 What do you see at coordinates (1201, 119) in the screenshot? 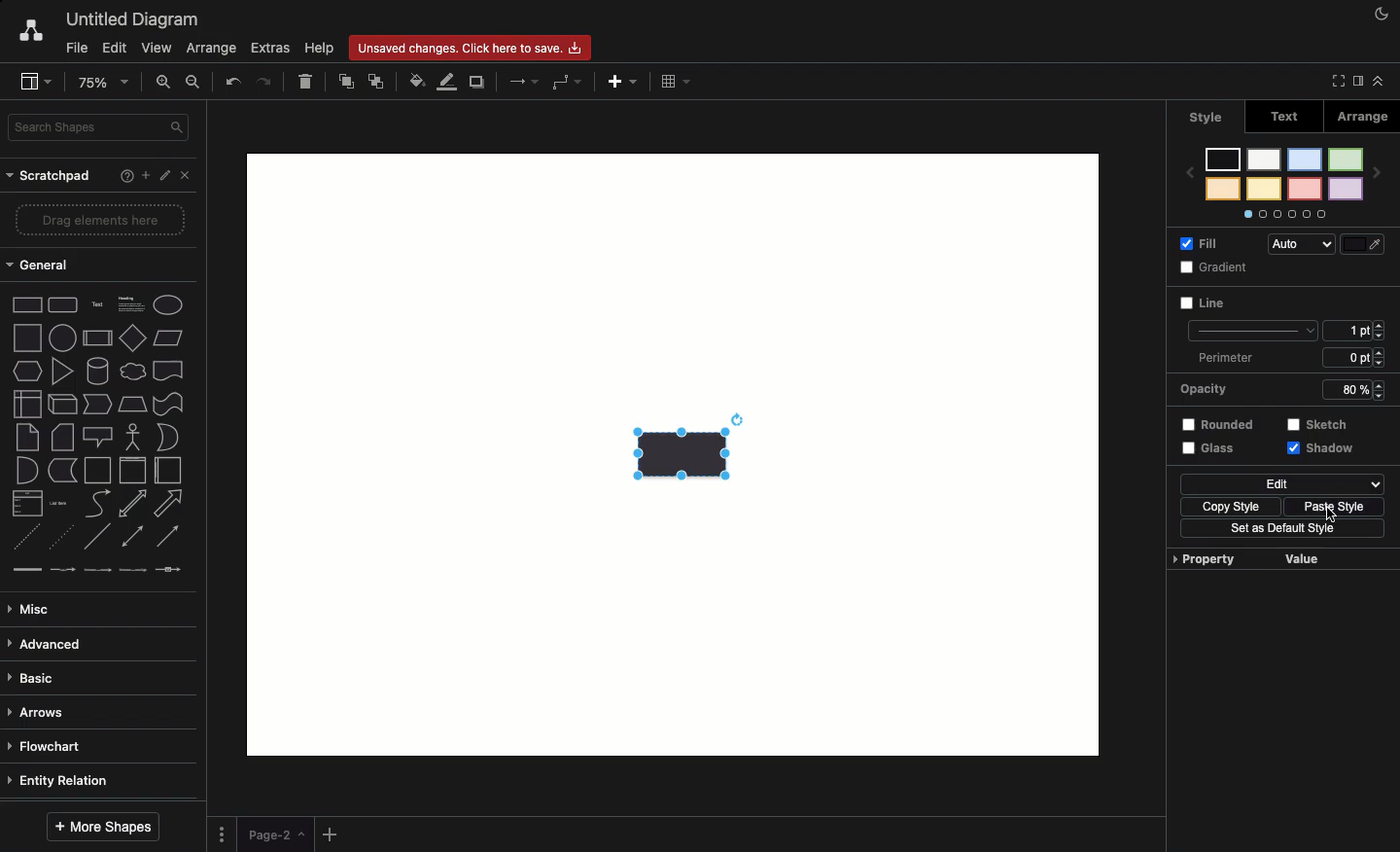
I see `Style` at bounding box center [1201, 119].